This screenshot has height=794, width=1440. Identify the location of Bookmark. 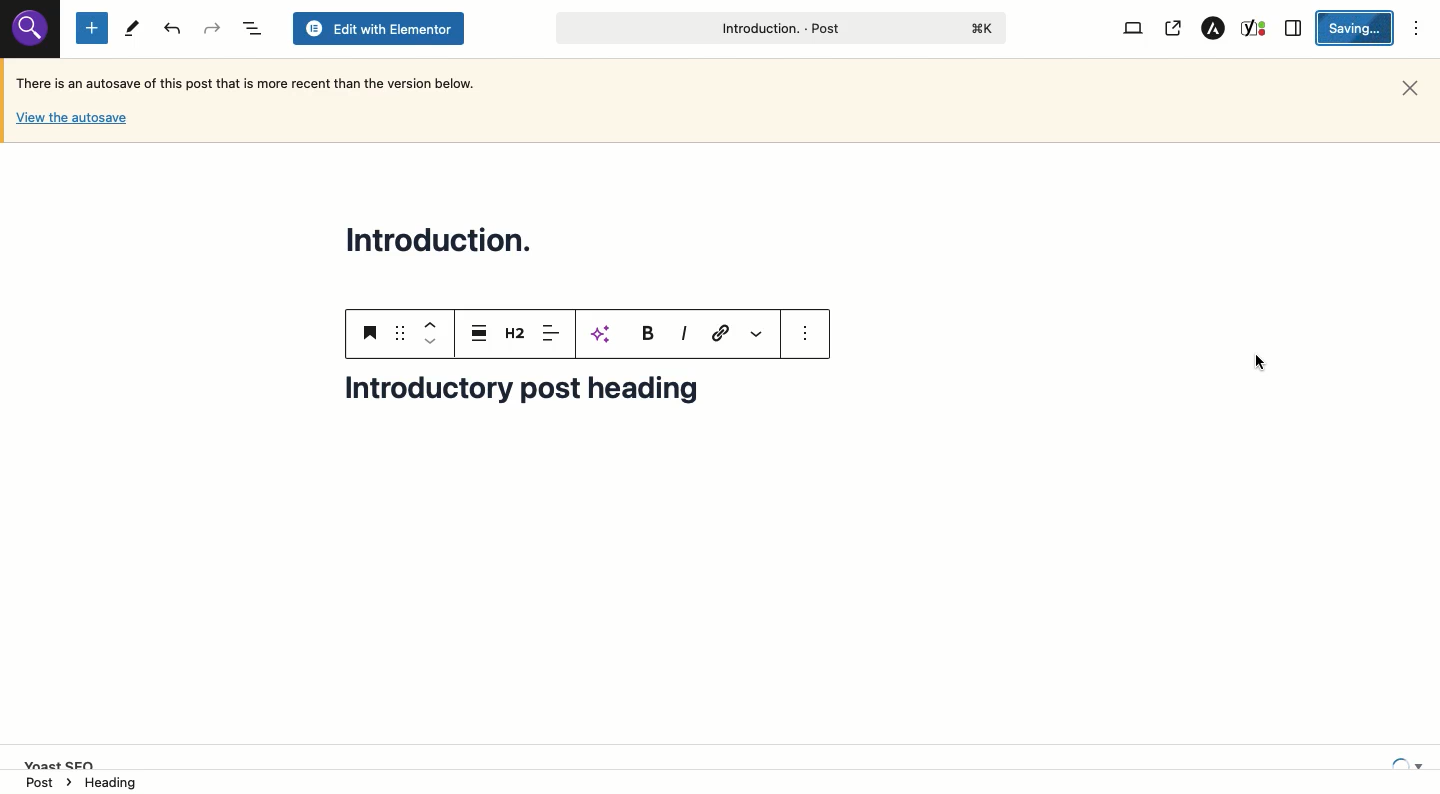
(372, 332).